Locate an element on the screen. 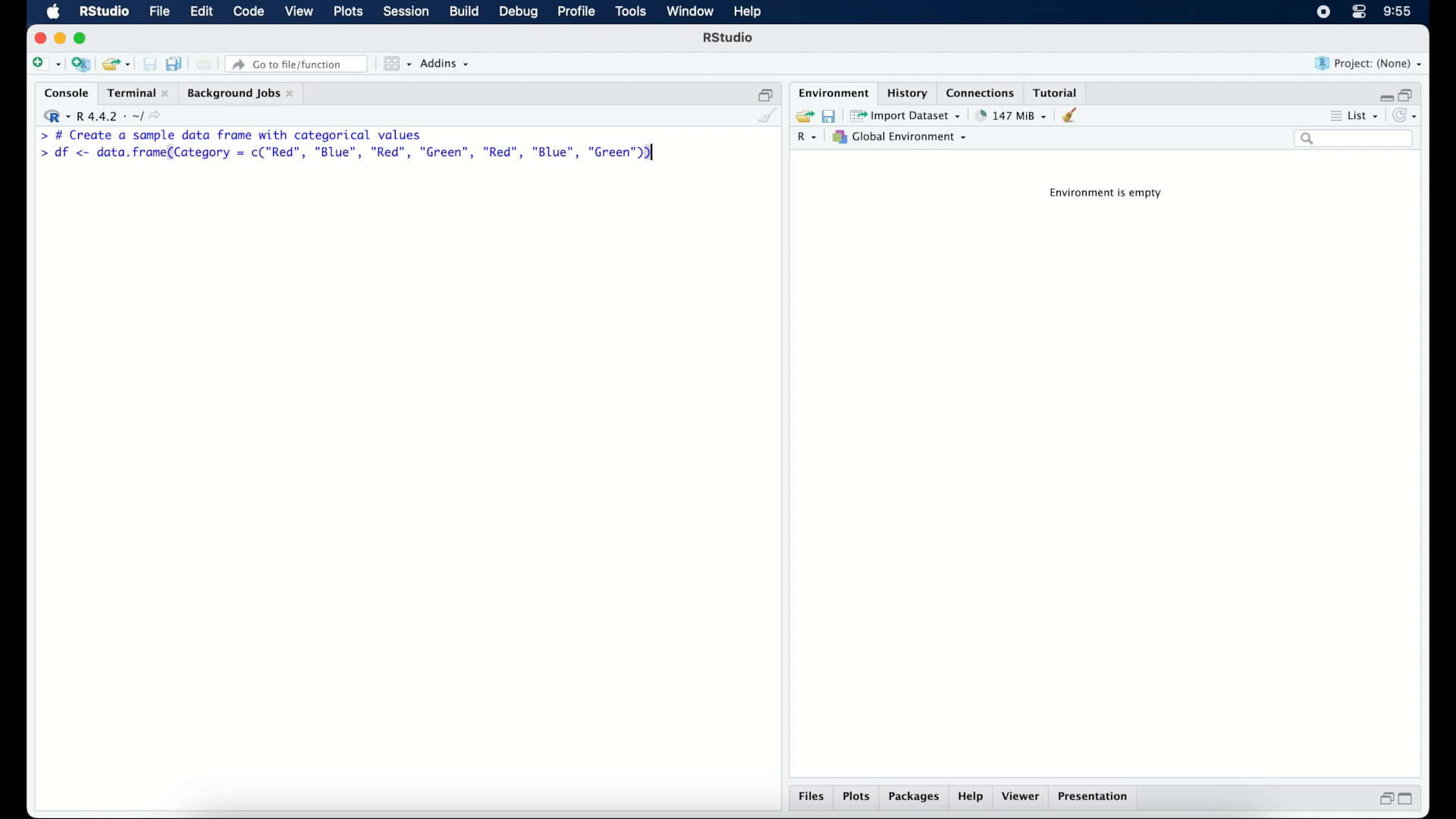 The height and width of the screenshot is (819, 1456). tutorial is located at coordinates (1059, 92).